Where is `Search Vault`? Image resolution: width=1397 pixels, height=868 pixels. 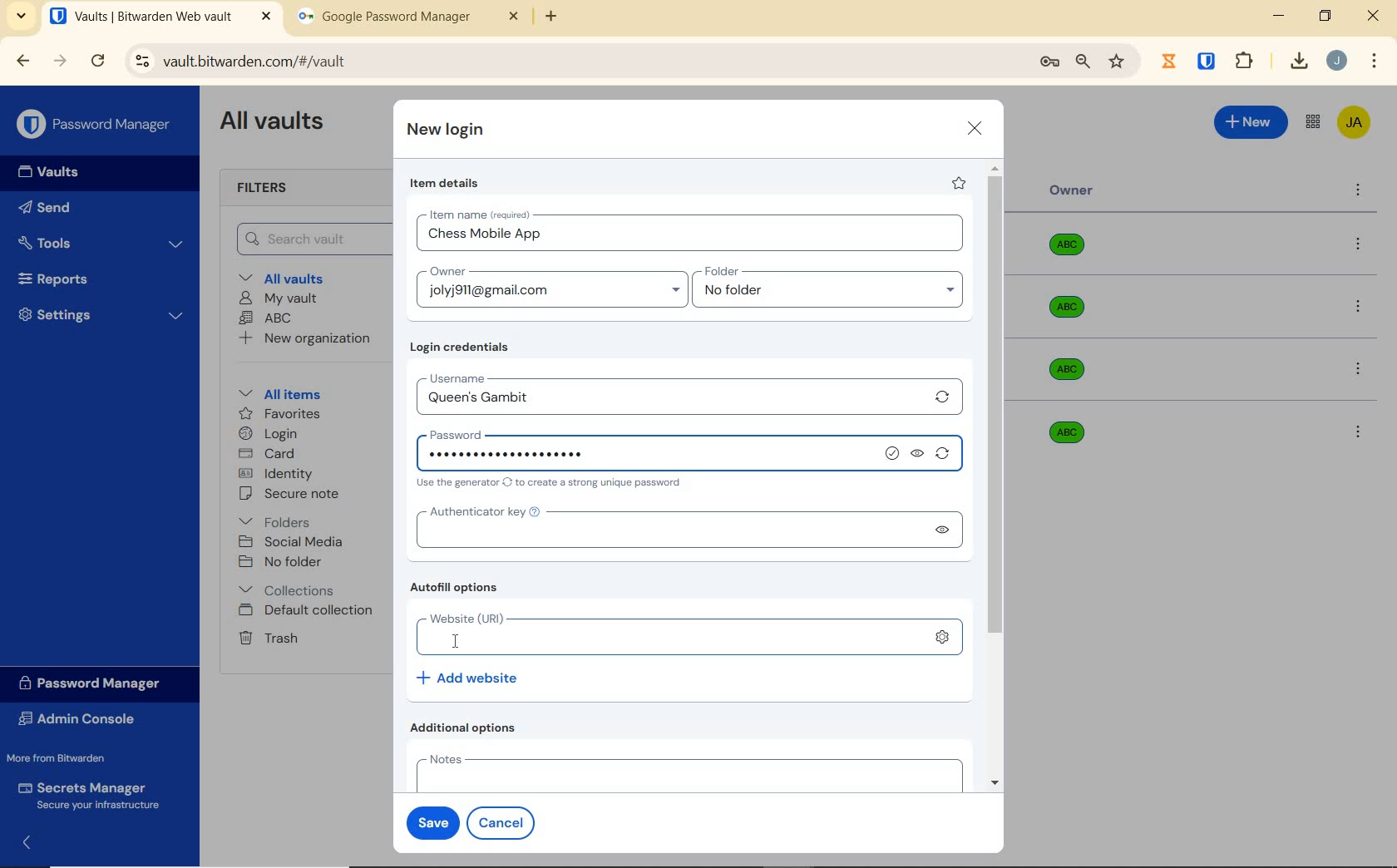 Search Vault is located at coordinates (309, 239).